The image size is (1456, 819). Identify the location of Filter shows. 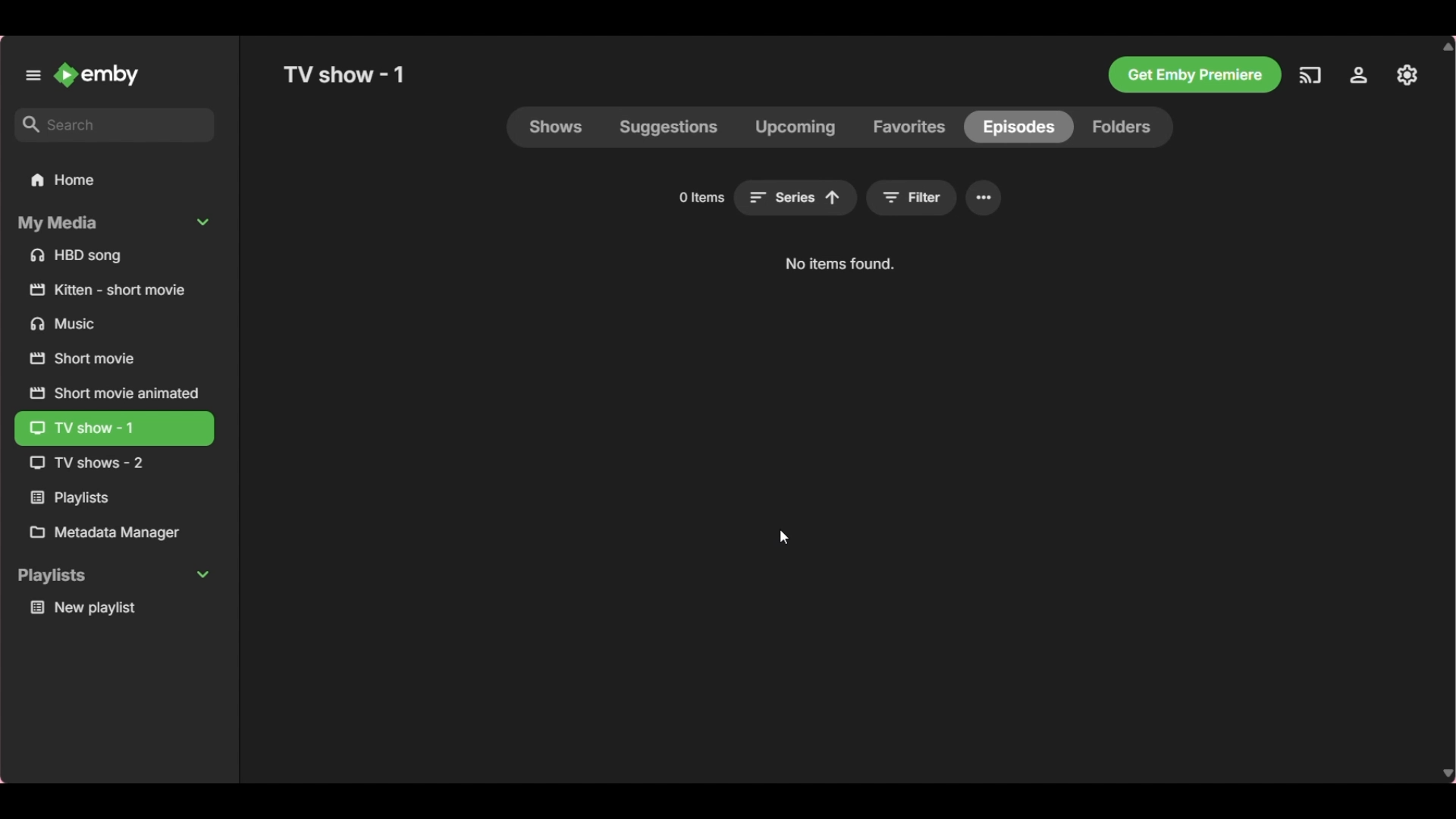
(912, 198).